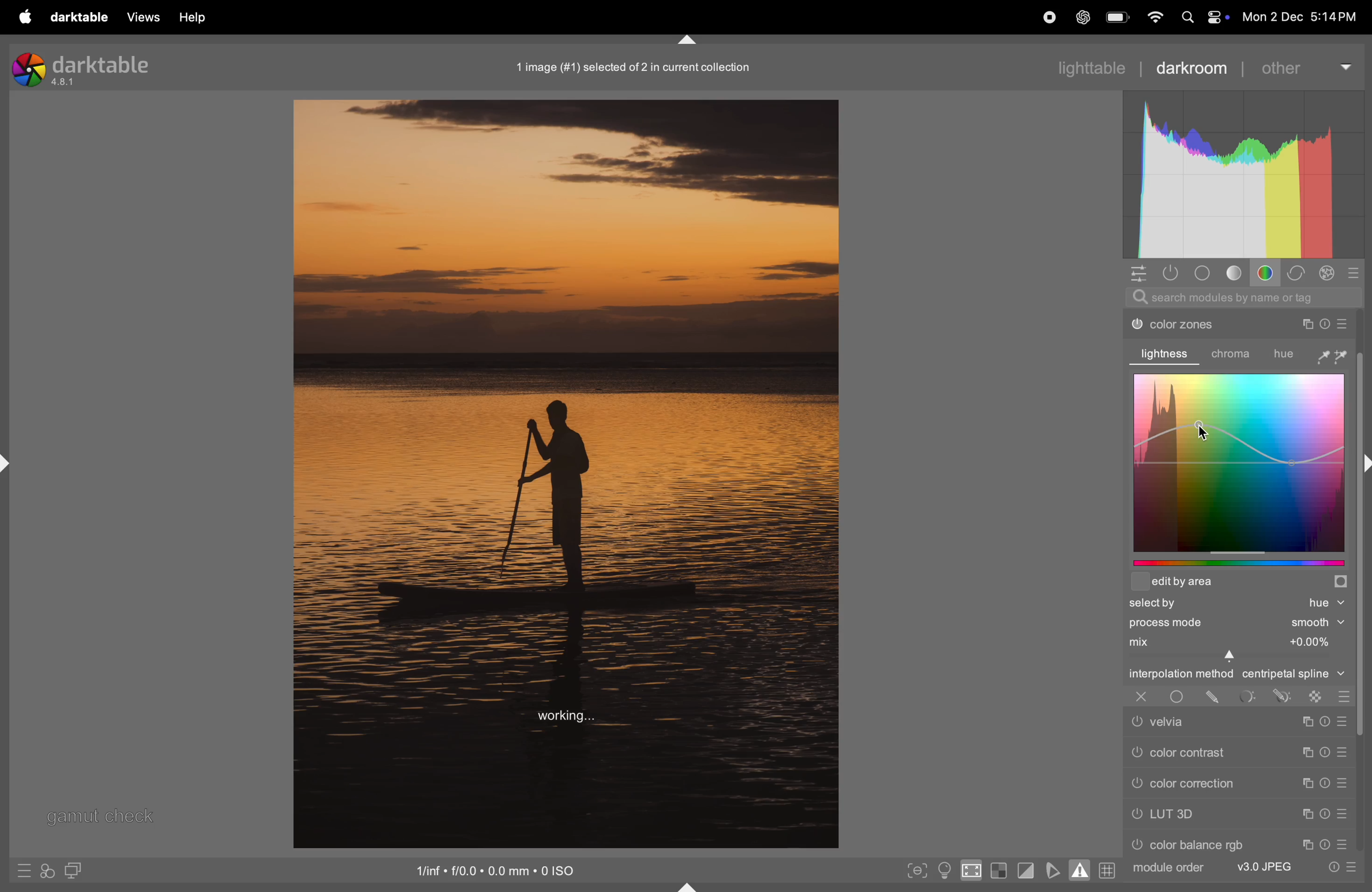 The image size is (1372, 892). I want to click on preset, so click(1342, 843).